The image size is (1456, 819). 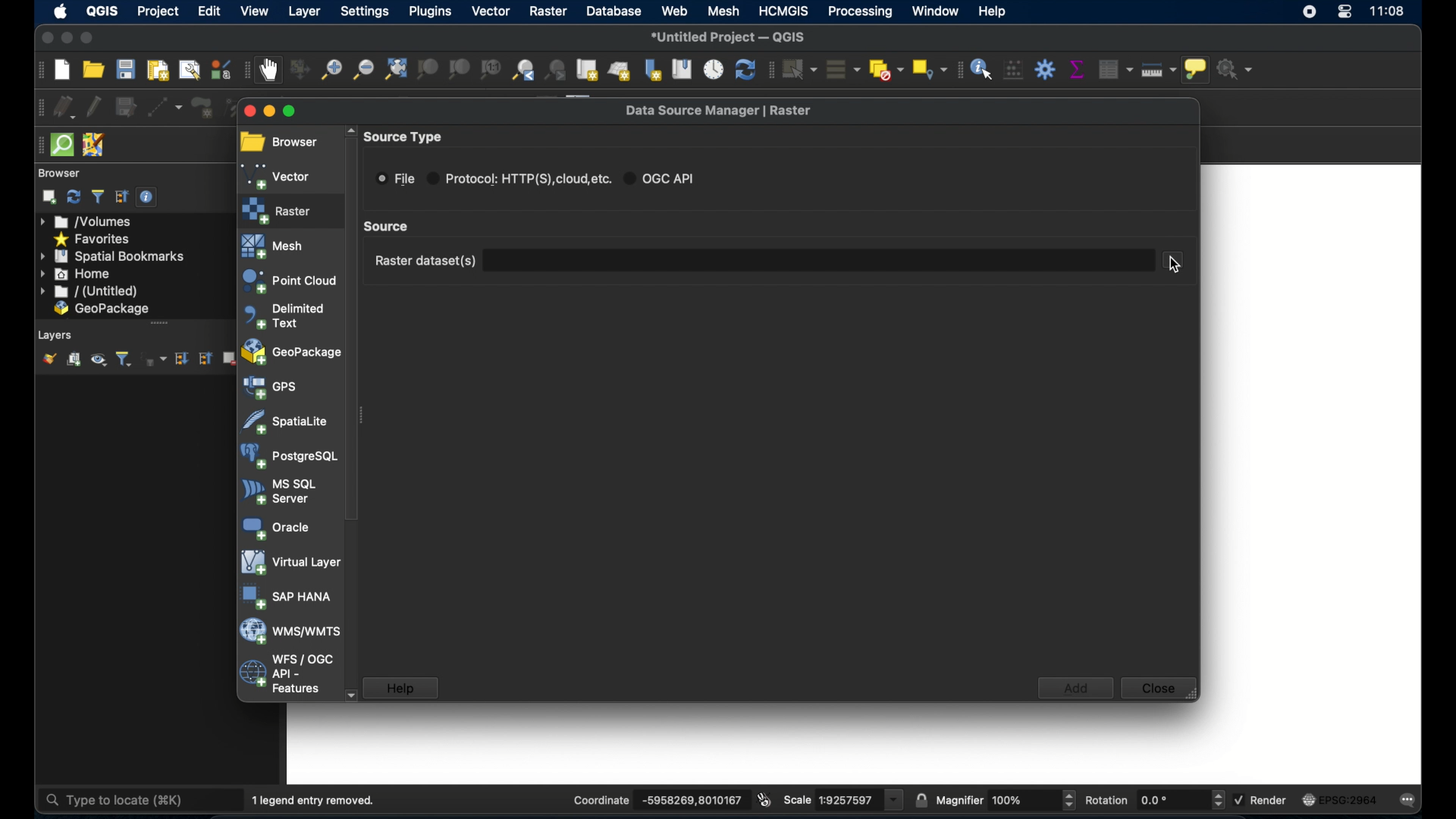 I want to click on untitled, so click(x=87, y=292).